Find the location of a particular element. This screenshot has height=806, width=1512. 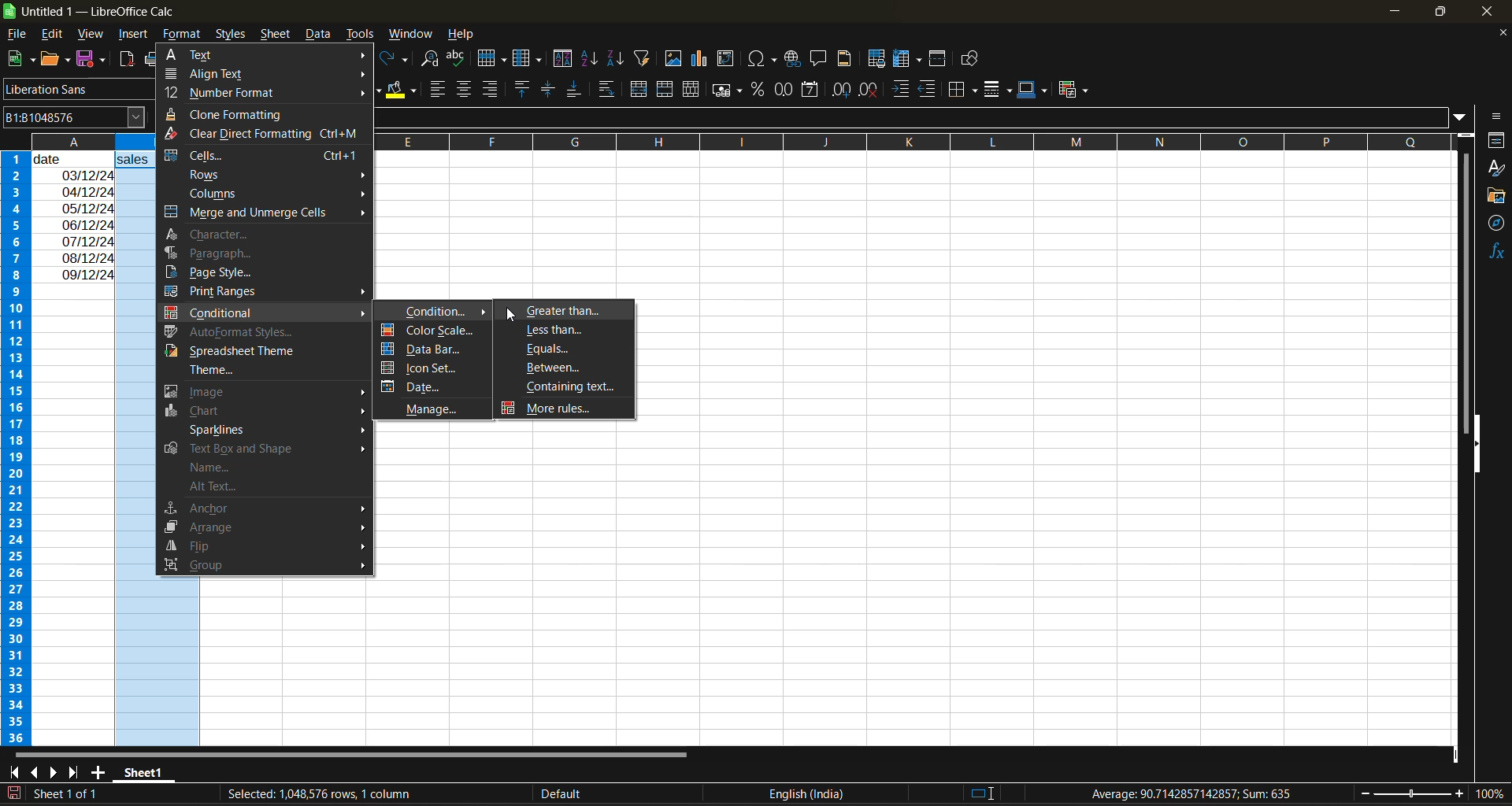

format as currency is located at coordinates (727, 93).